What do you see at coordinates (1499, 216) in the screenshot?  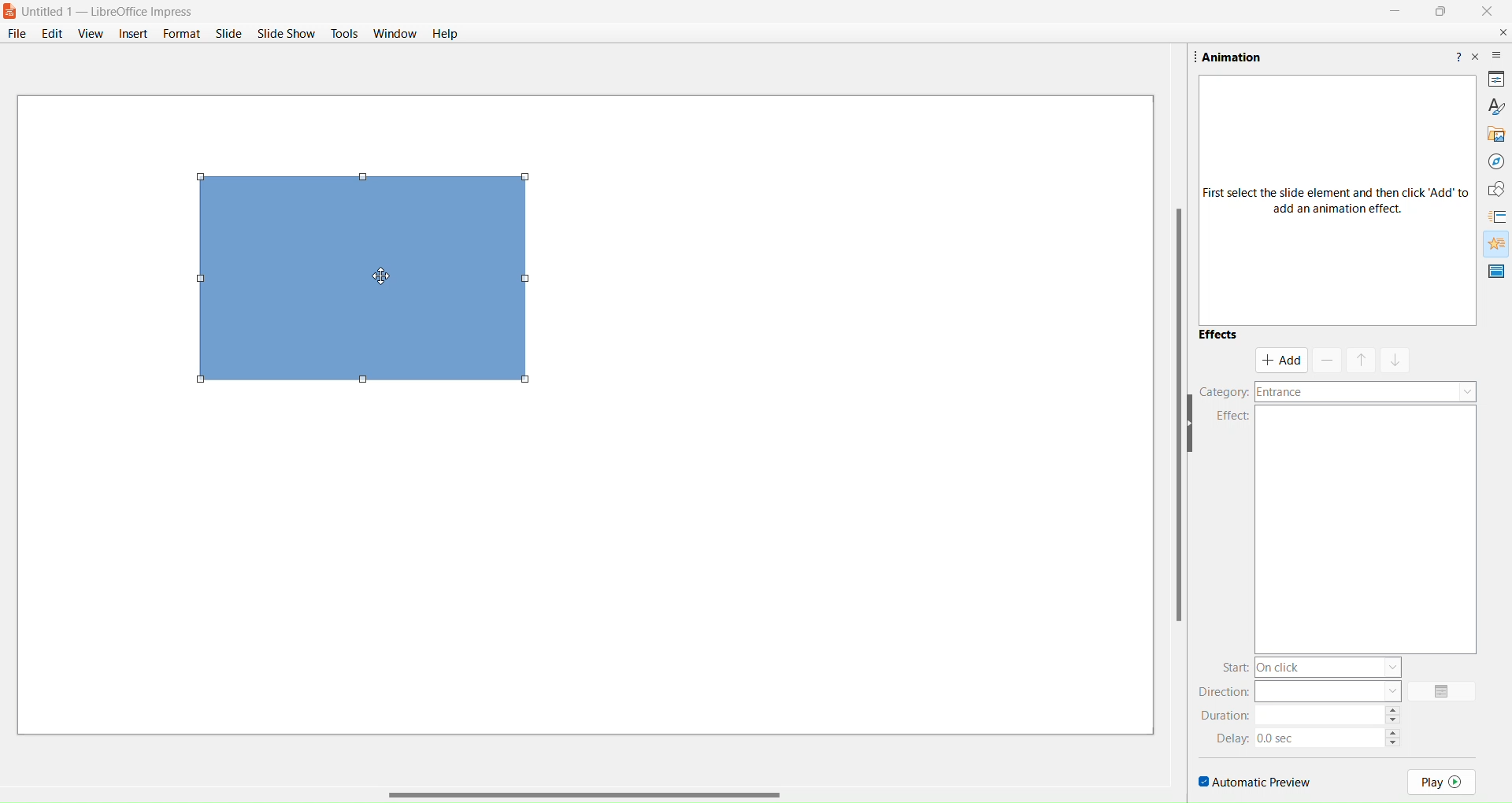 I see `slide transition` at bounding box center [1499, 216].